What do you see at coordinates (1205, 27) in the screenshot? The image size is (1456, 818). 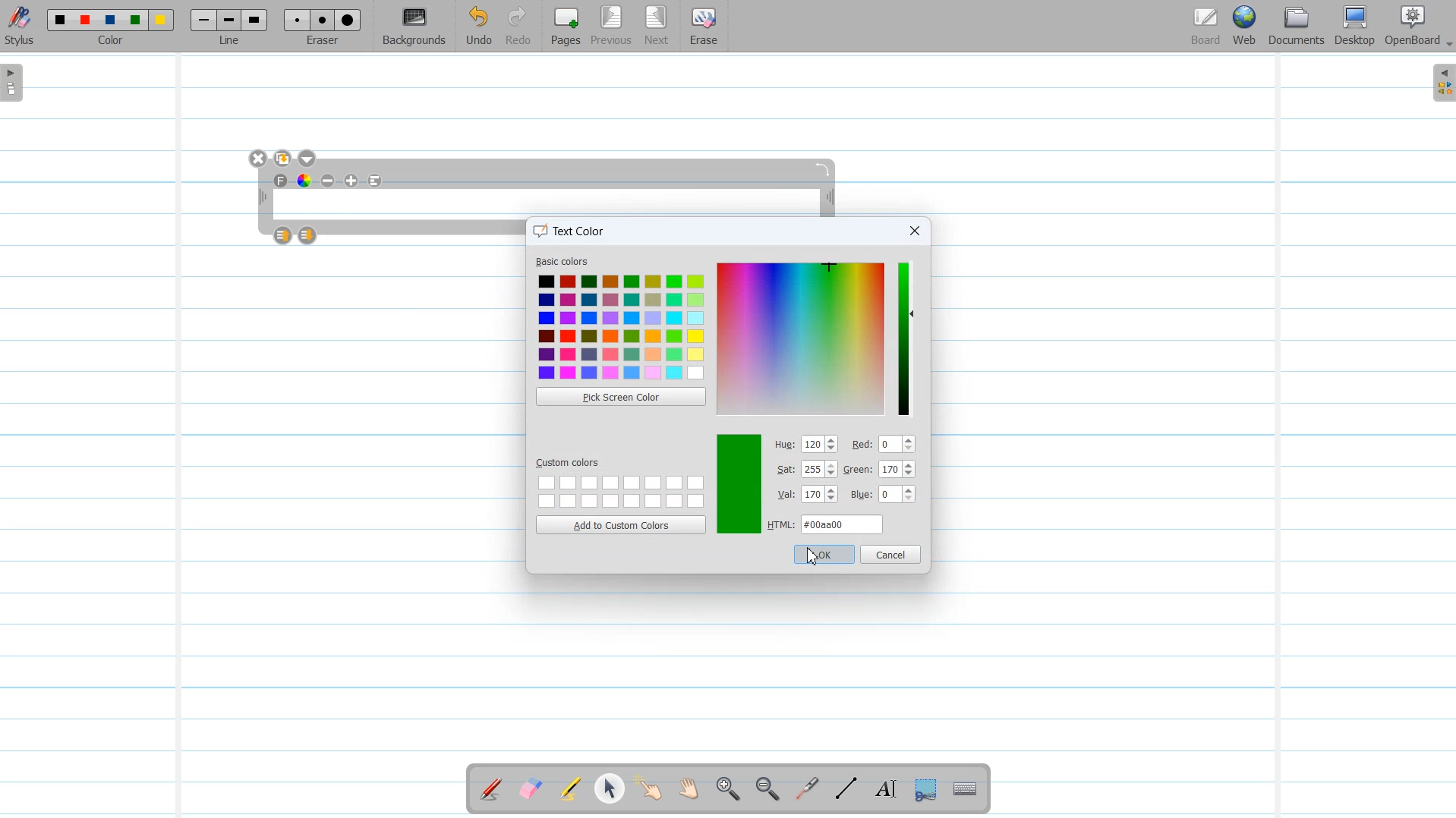 I see `Board` at bounding box center [1205, 27].